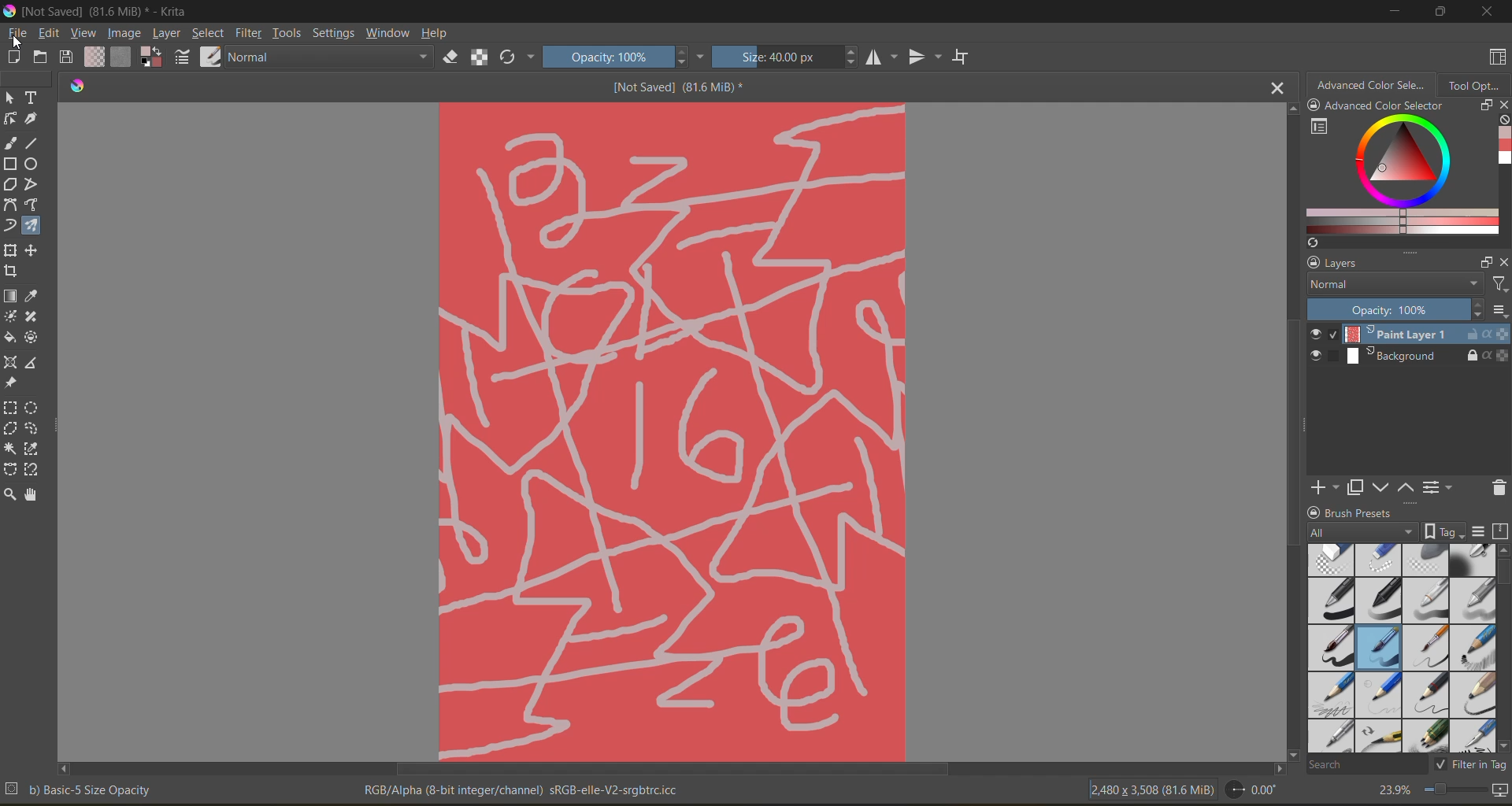  What do you see at coordinates (9, 429) in the screenshot?
I see `tool` at bounding box center [9, 429].